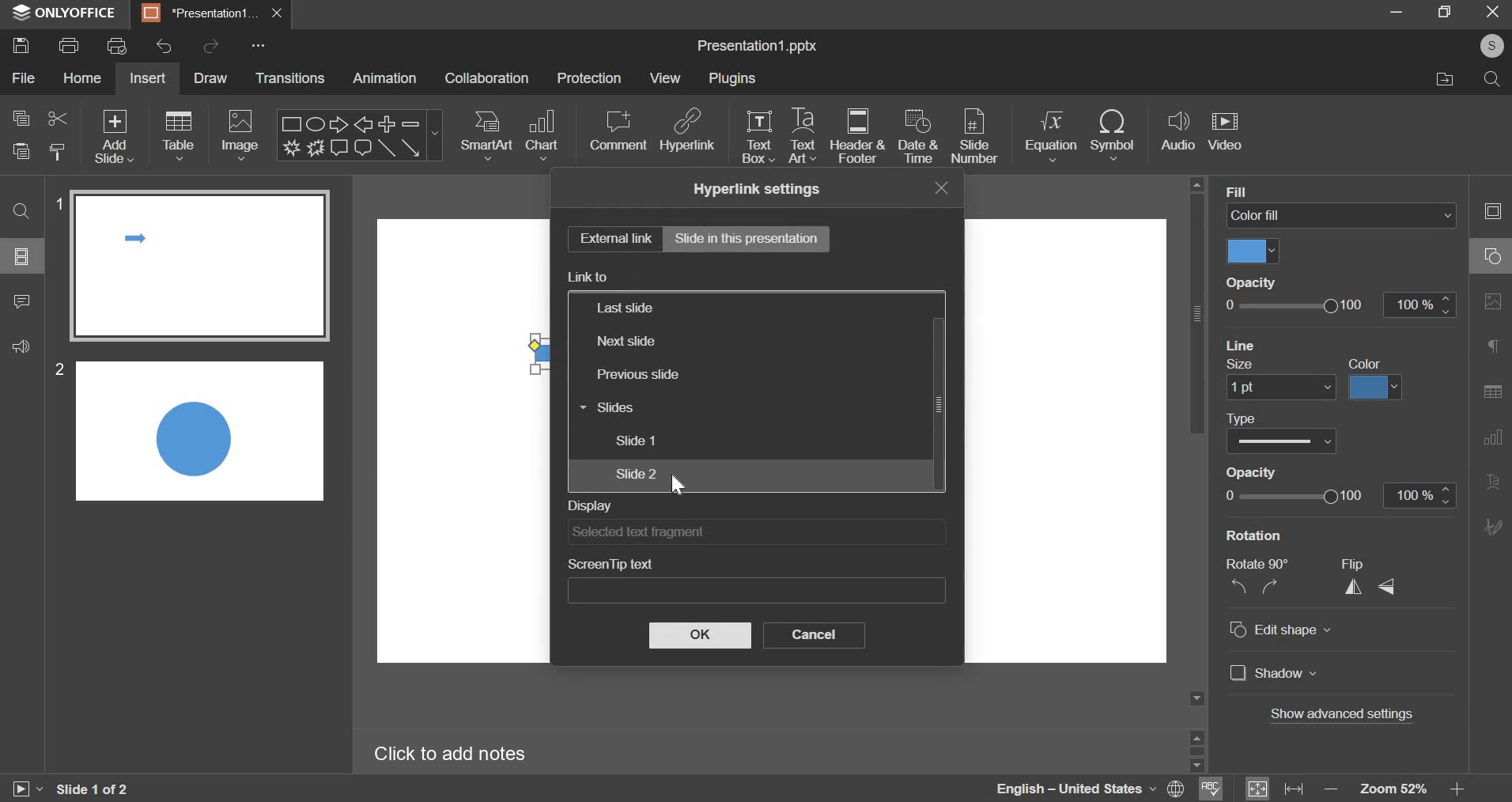  I want to click on input for screen tip text, so click(731, 590).